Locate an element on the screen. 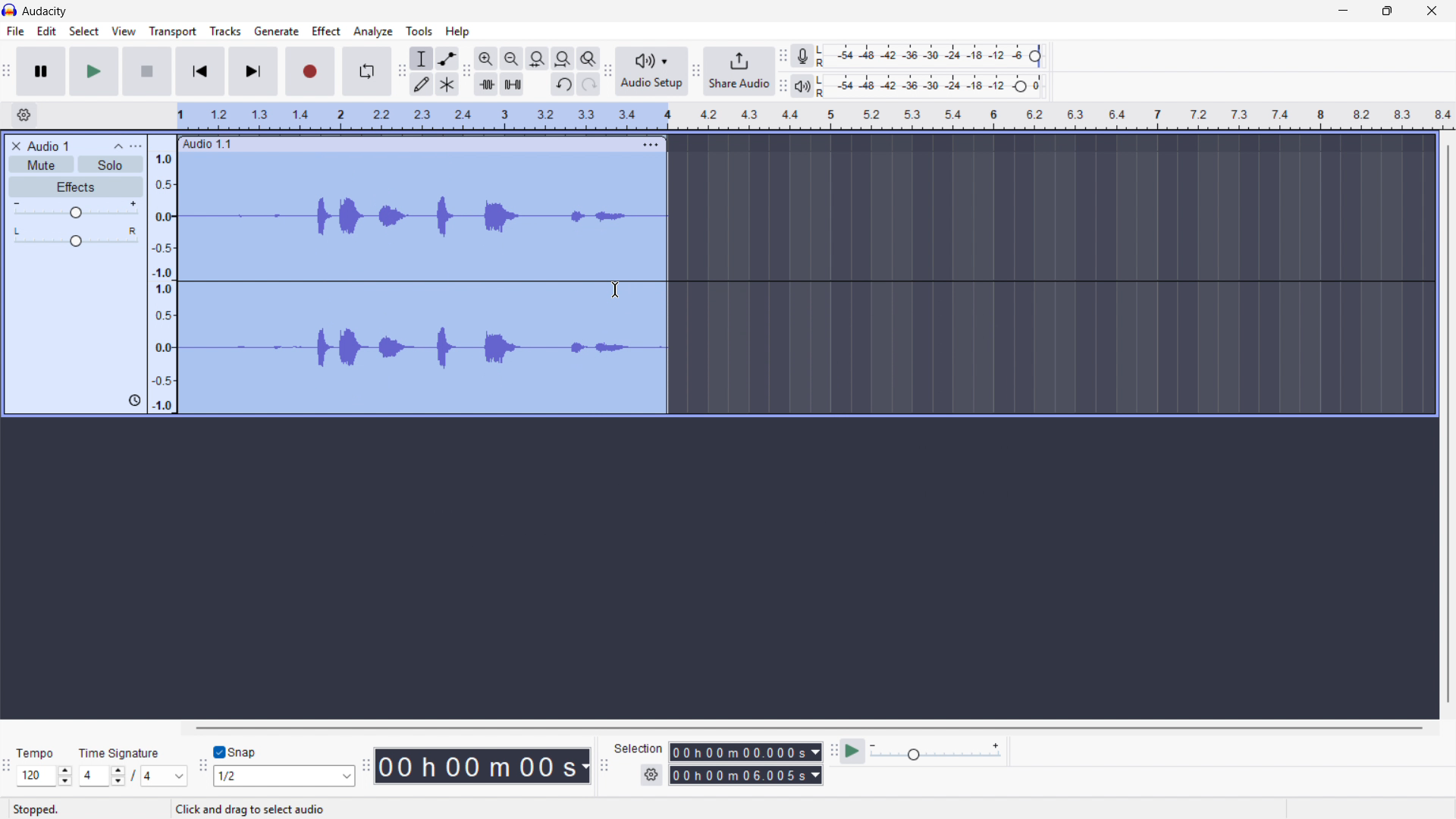  undo is located at coordinates (563, 85).